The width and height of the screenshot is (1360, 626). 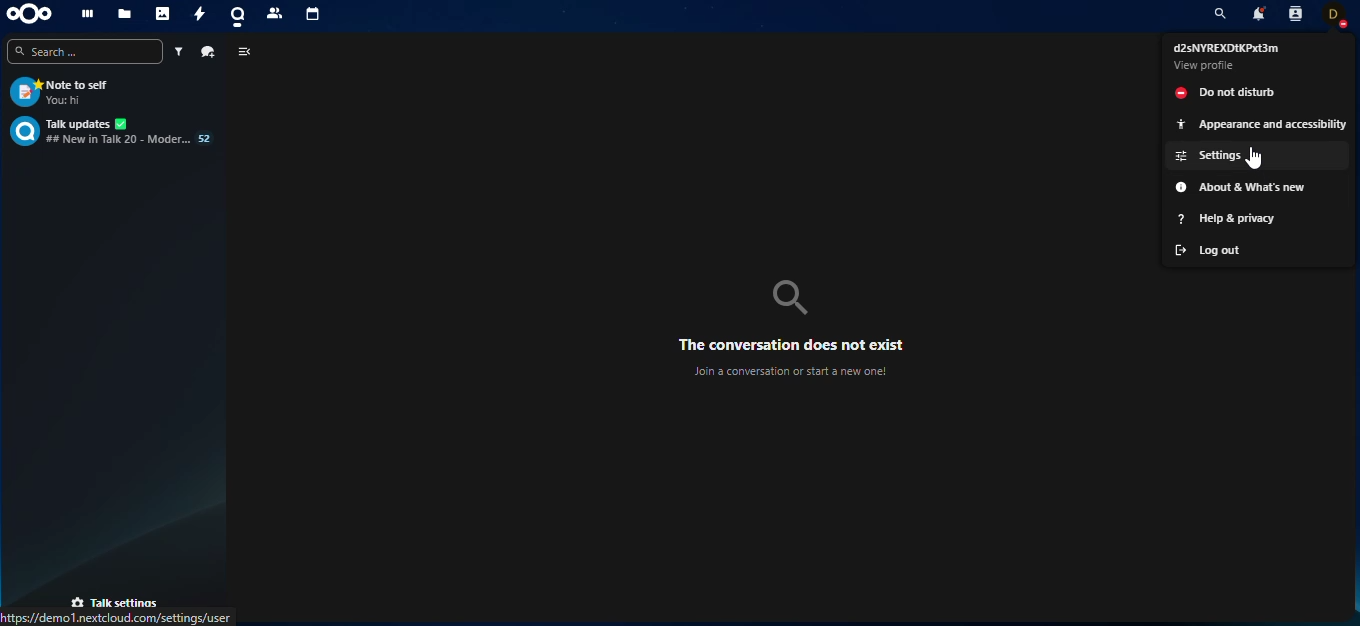 I want to click on talk, so click(x=235, y=16).